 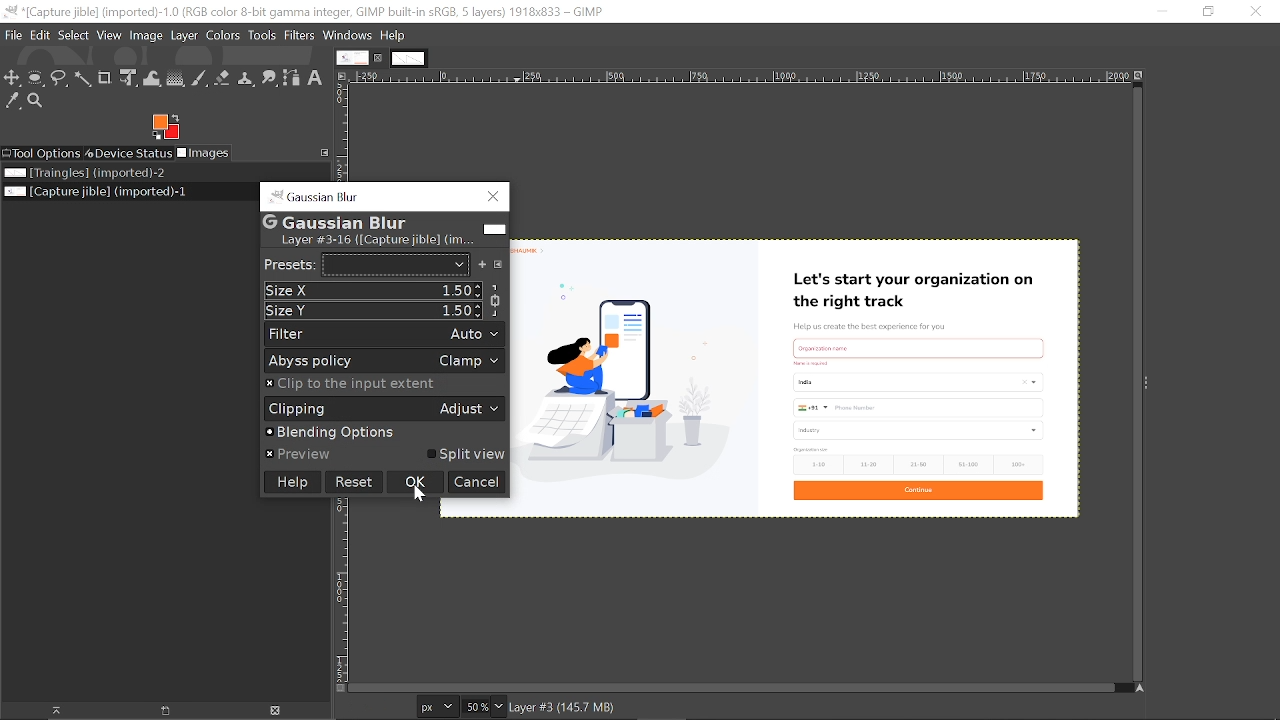 What do you see at coordinates (341, 589) in the screenshot?
I see `Vertical label` at bounding box center [341, 589].